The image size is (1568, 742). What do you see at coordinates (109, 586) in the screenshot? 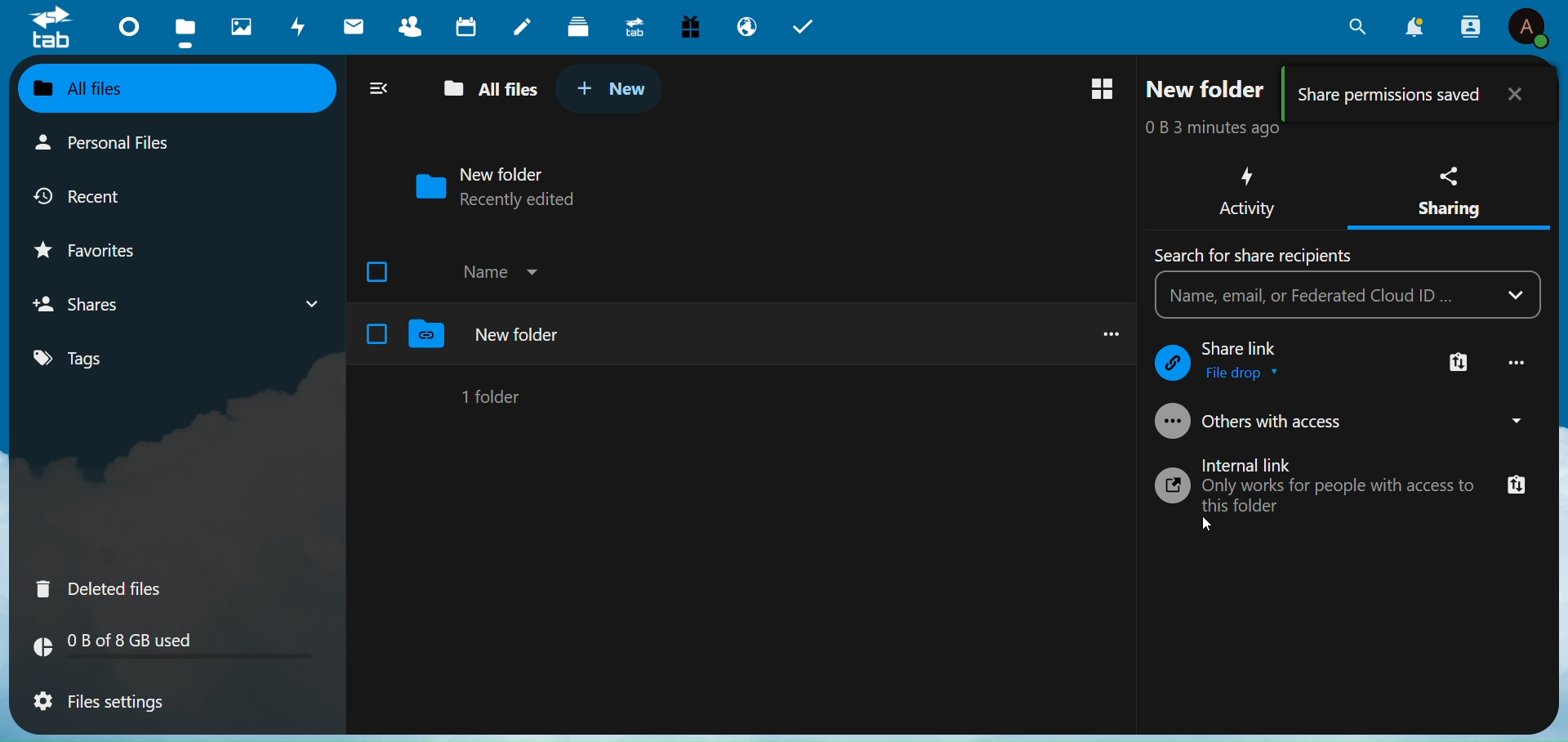
I see `Deleted FIles` at bounding box center [109, 586].